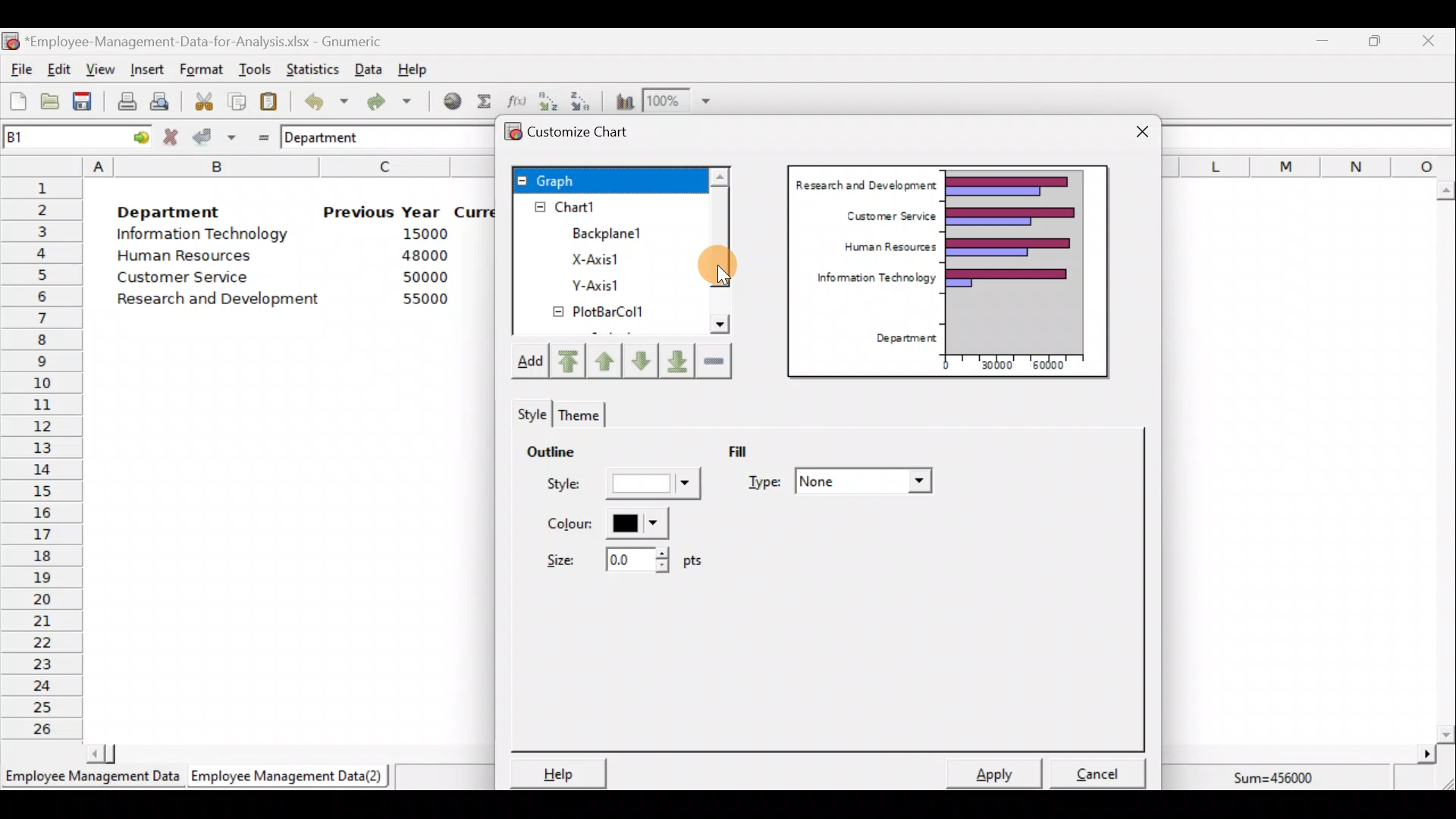 This screenshot has height=819, width=1456. I want to click on Customer Service, so click(887, 214).